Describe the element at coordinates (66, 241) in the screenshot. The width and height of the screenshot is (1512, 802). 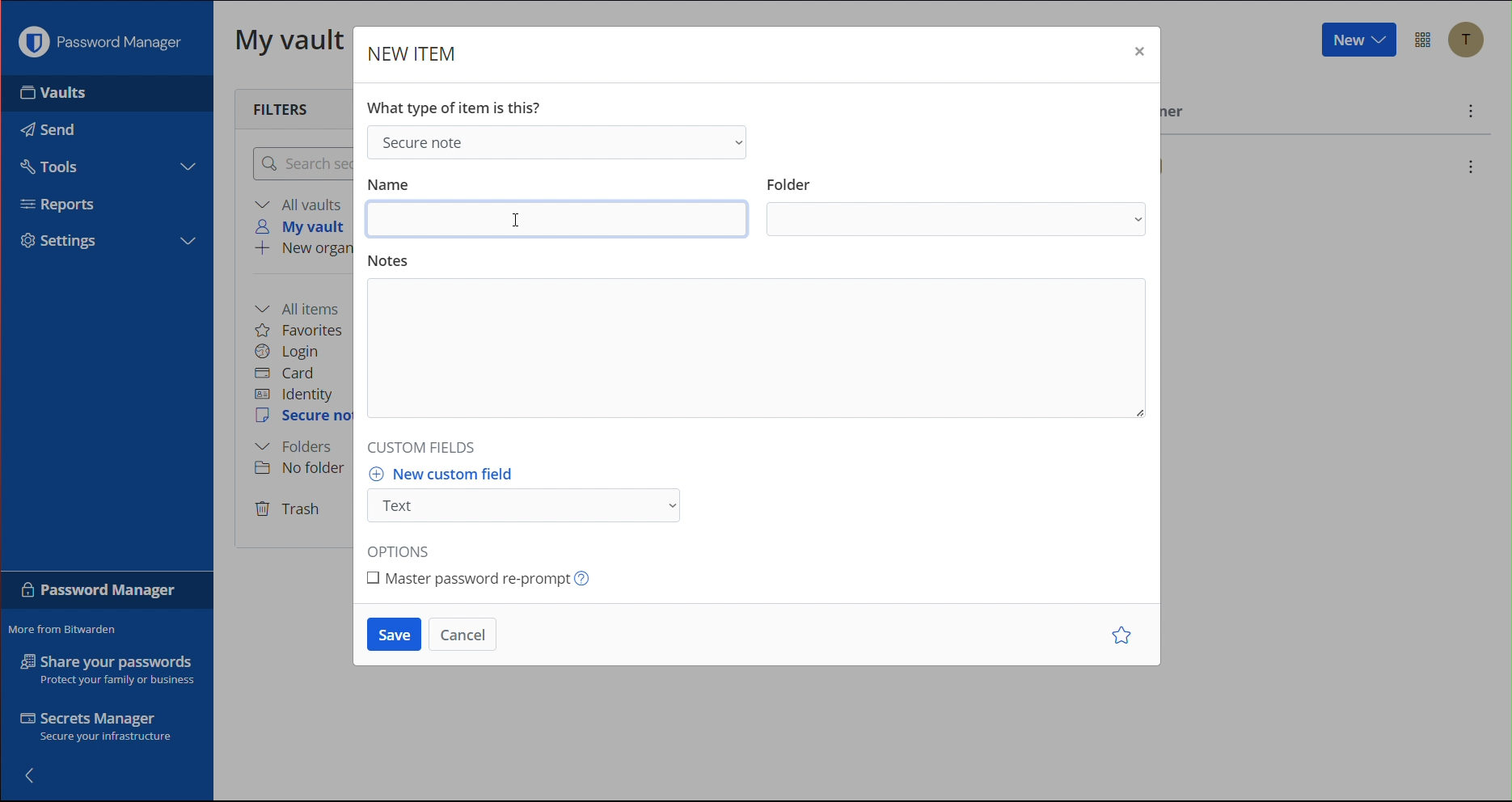
I see `Settings` at that location.